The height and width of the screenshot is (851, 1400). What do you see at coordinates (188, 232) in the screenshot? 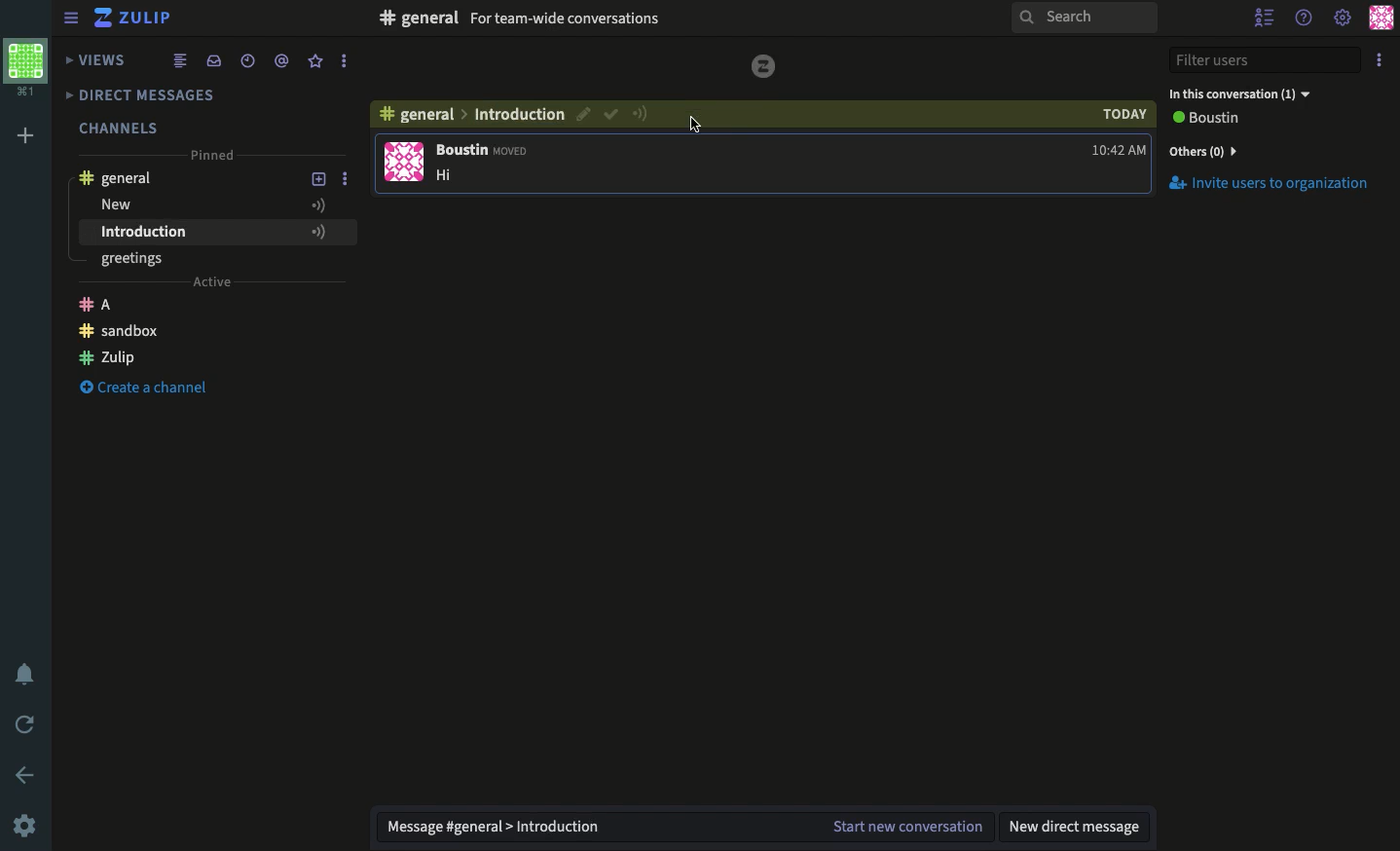
I see `Introduction` at bounding box center [188, 232].